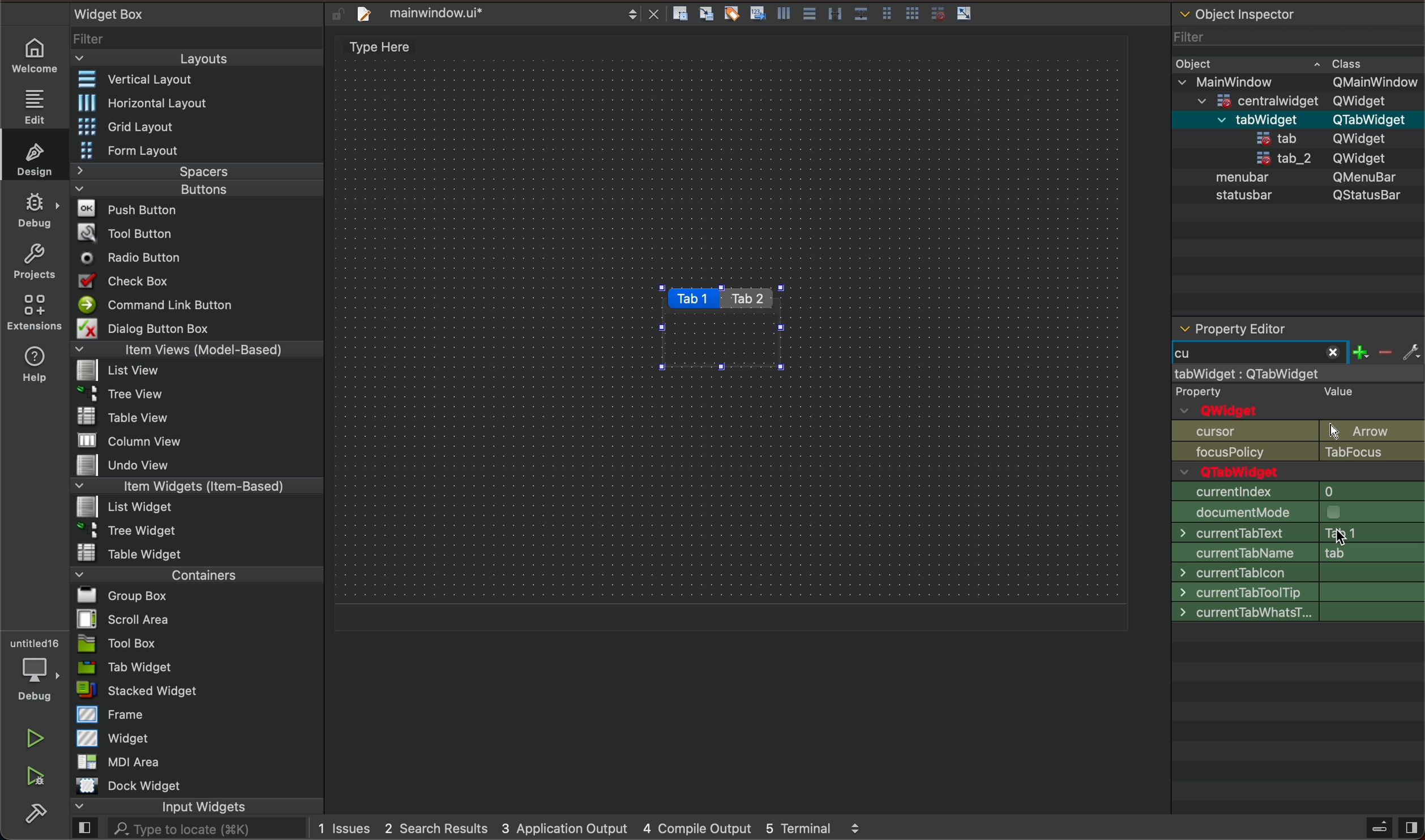  What do you see at coordinates (1356, 195) in the screenshot?
I see `QStatusBar` at bounding box center [1356, 195].